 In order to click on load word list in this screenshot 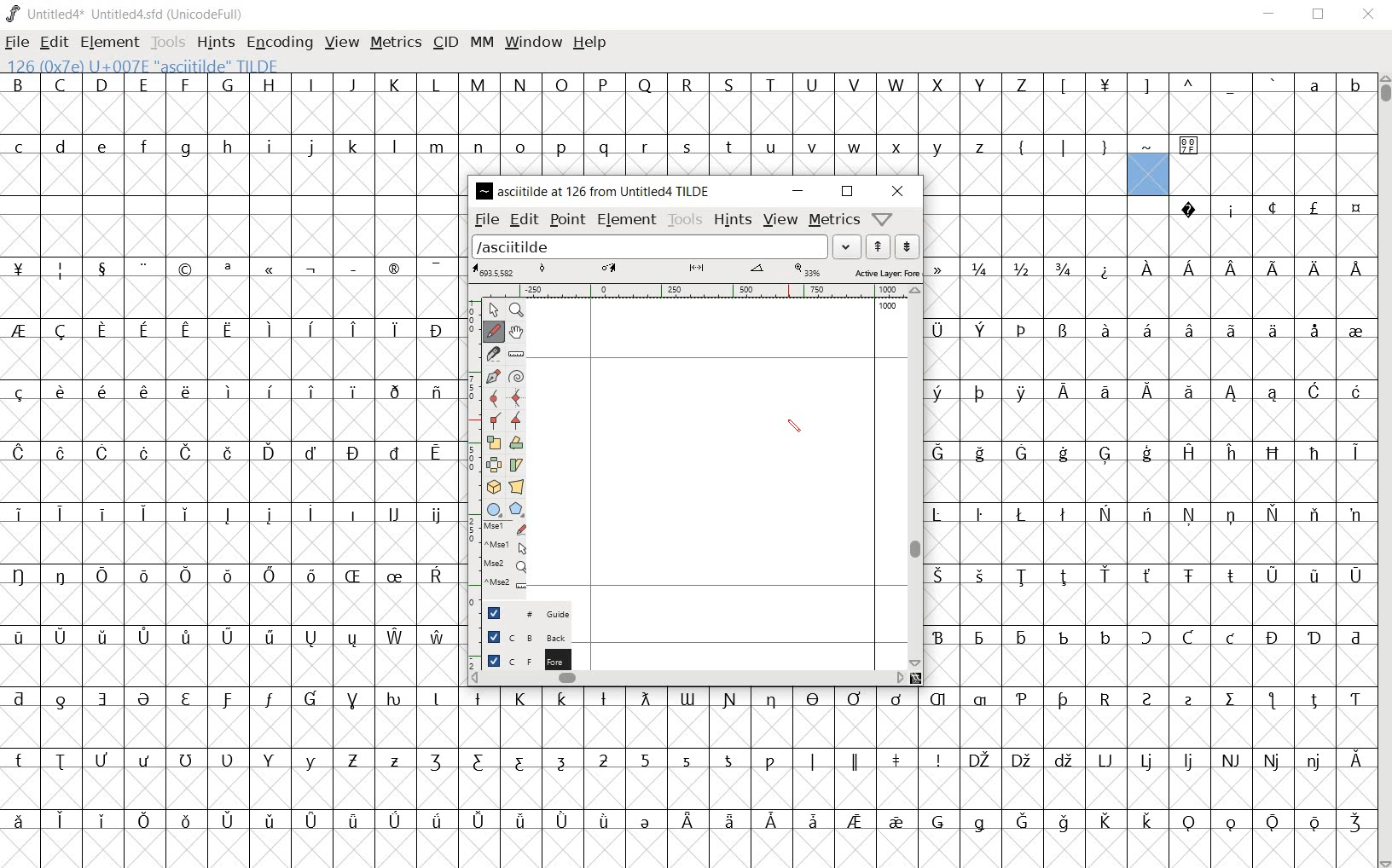, I will do `click(665, 246)`.